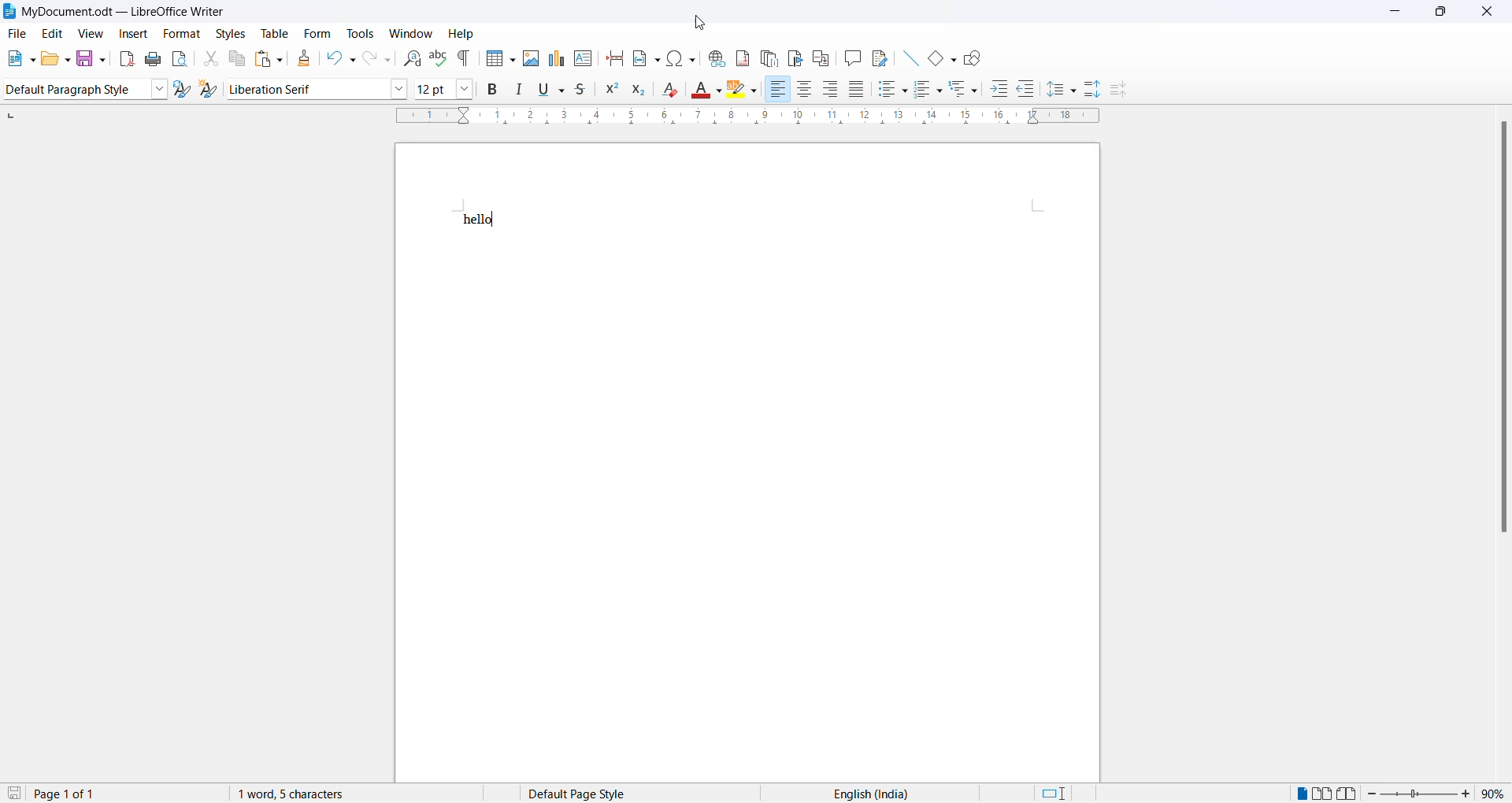 The width and height of the screenshot is (1512, 803). Describe the element at coordinates (206, 59) in the screenshot. I see `Cut` at that location.